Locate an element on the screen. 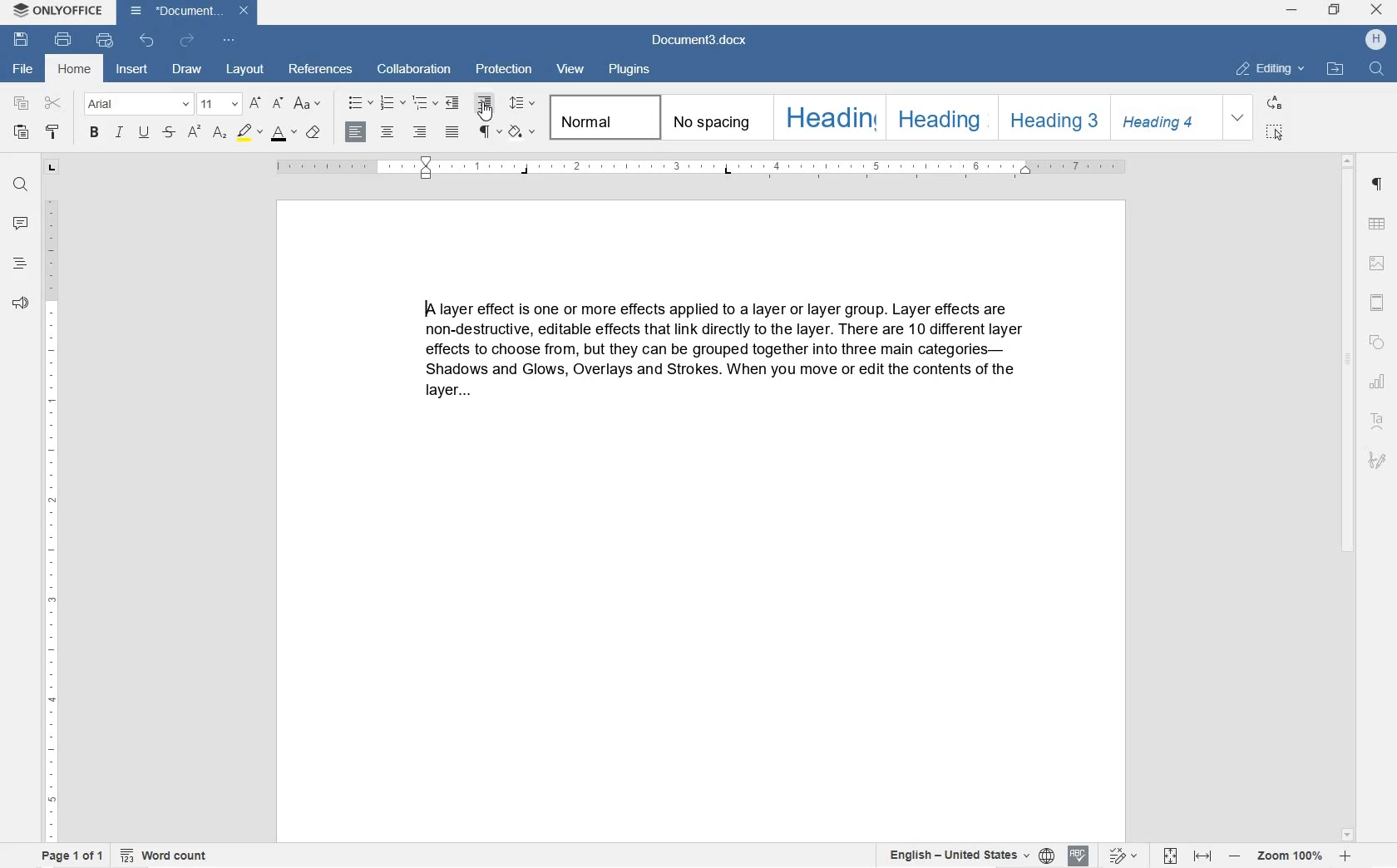 The width and height of the screenshot is (1397, 868). INCREMENT FONT SIZE is located at coordinates (254, 101).